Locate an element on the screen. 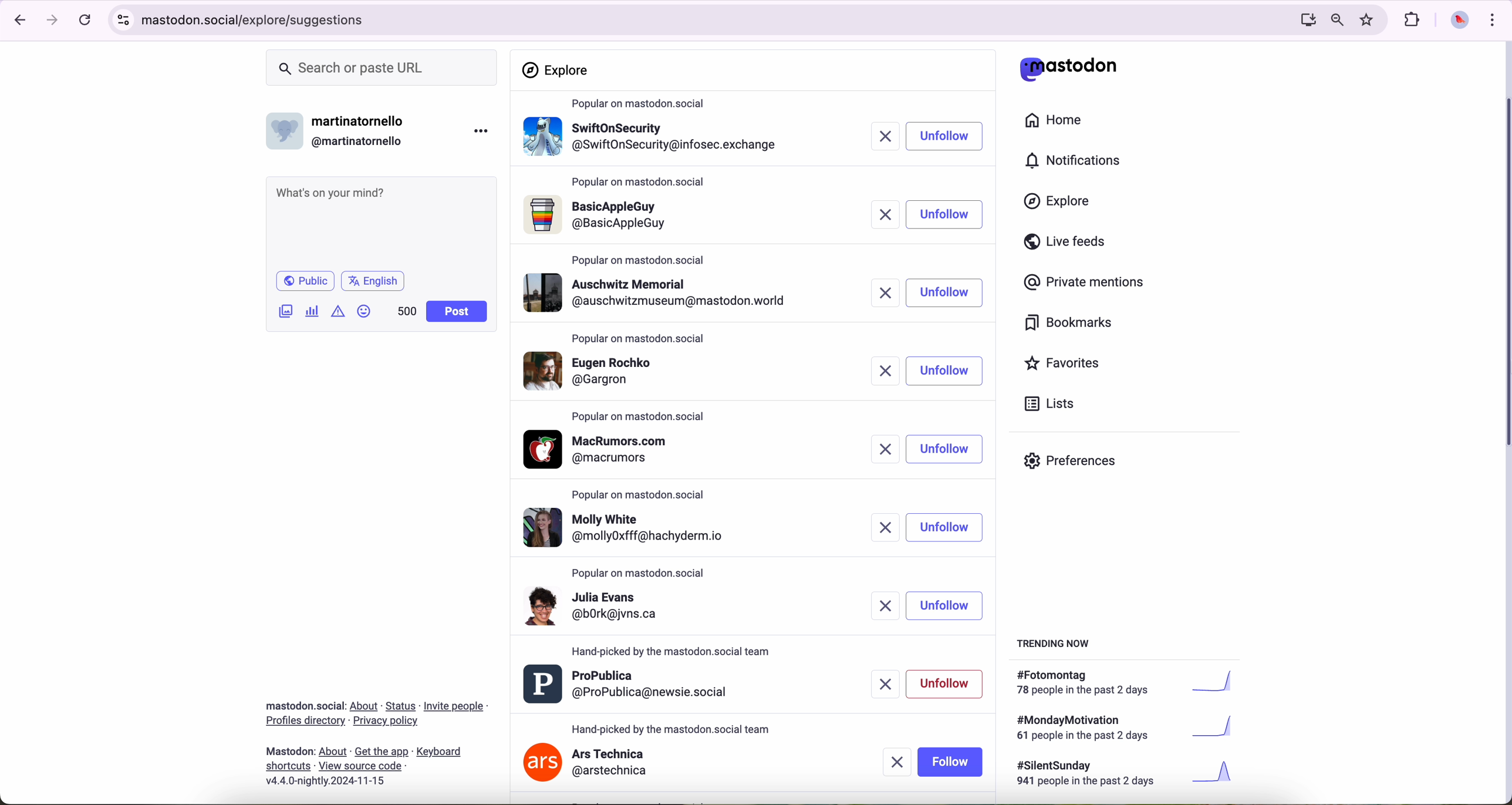 The image size is (1512, 805). unfollow is located at coordinates (945, 605).